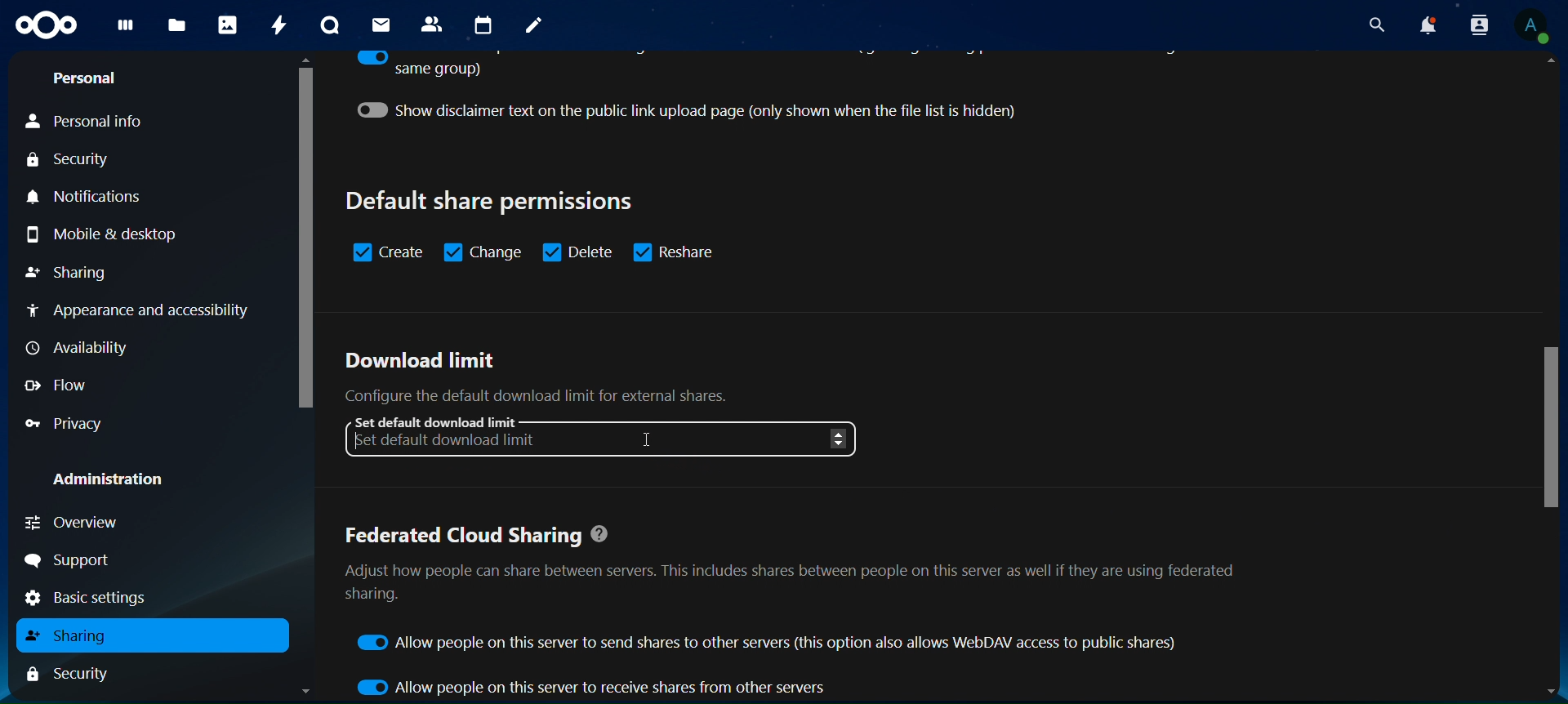  What do you see at coordinates (792, 570) in the screenshot?
I see `federated cloud sharing` at bounding box center [792, 570].